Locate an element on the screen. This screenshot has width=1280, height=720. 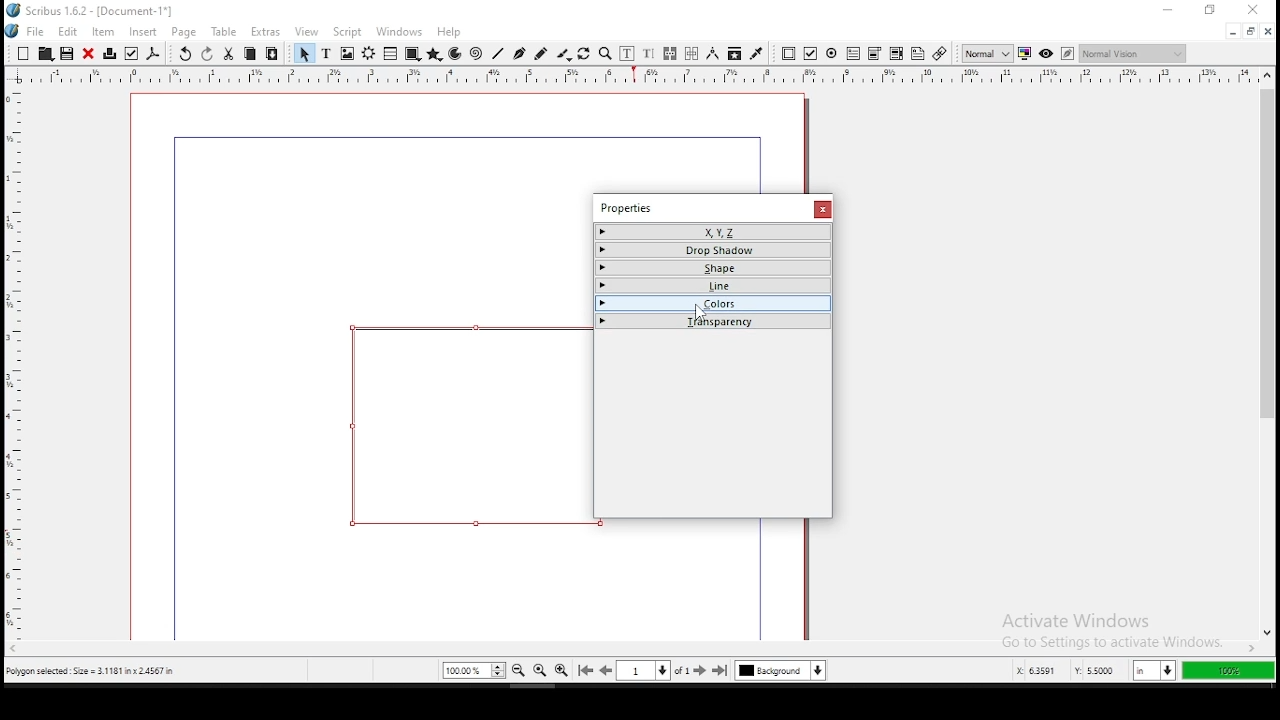
copy item properties is located at coordinates (734, 54).